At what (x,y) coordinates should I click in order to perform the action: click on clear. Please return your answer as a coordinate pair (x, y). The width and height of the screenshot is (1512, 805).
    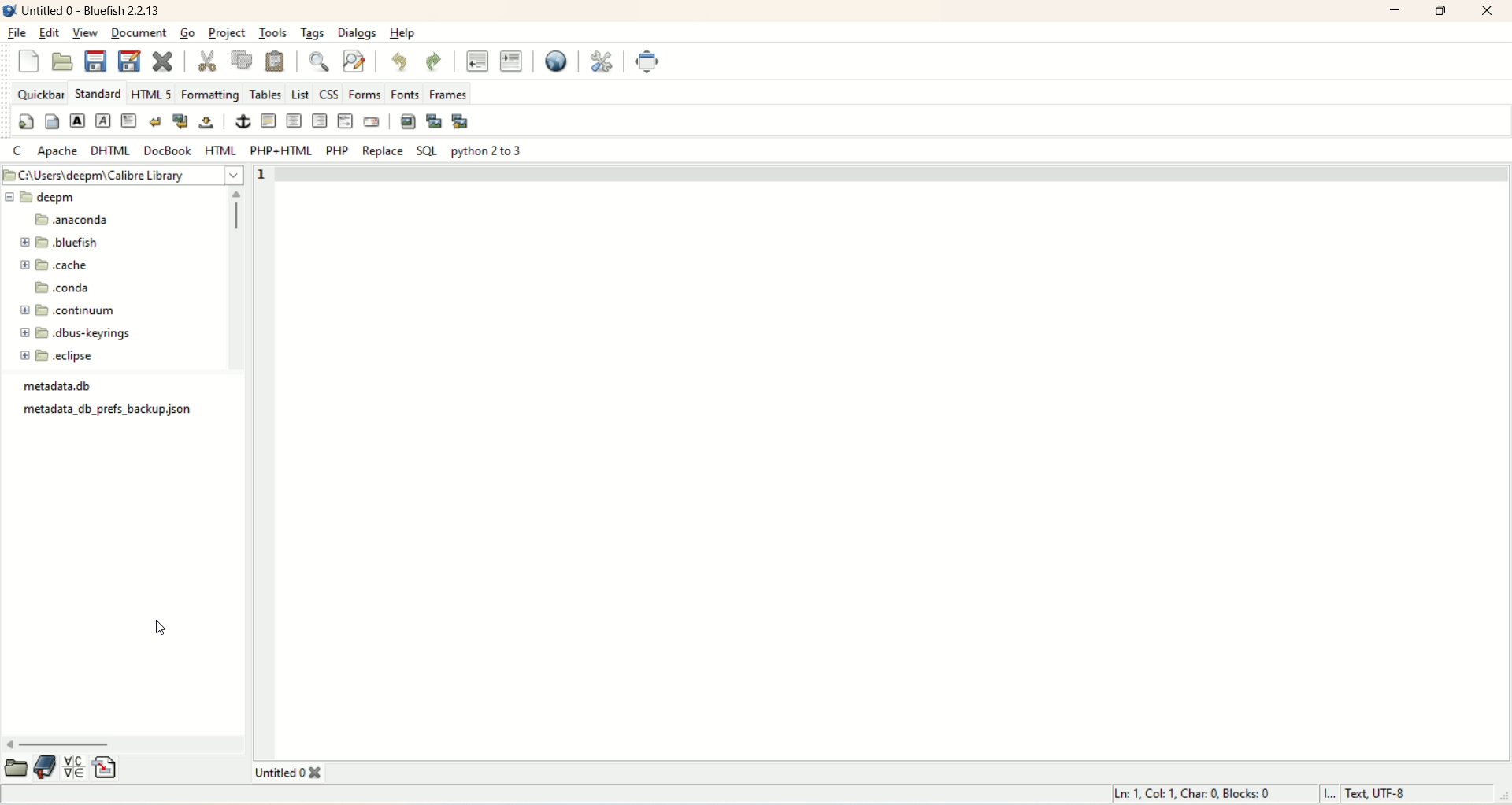
    Looking at the image, I should click on (154, 120).